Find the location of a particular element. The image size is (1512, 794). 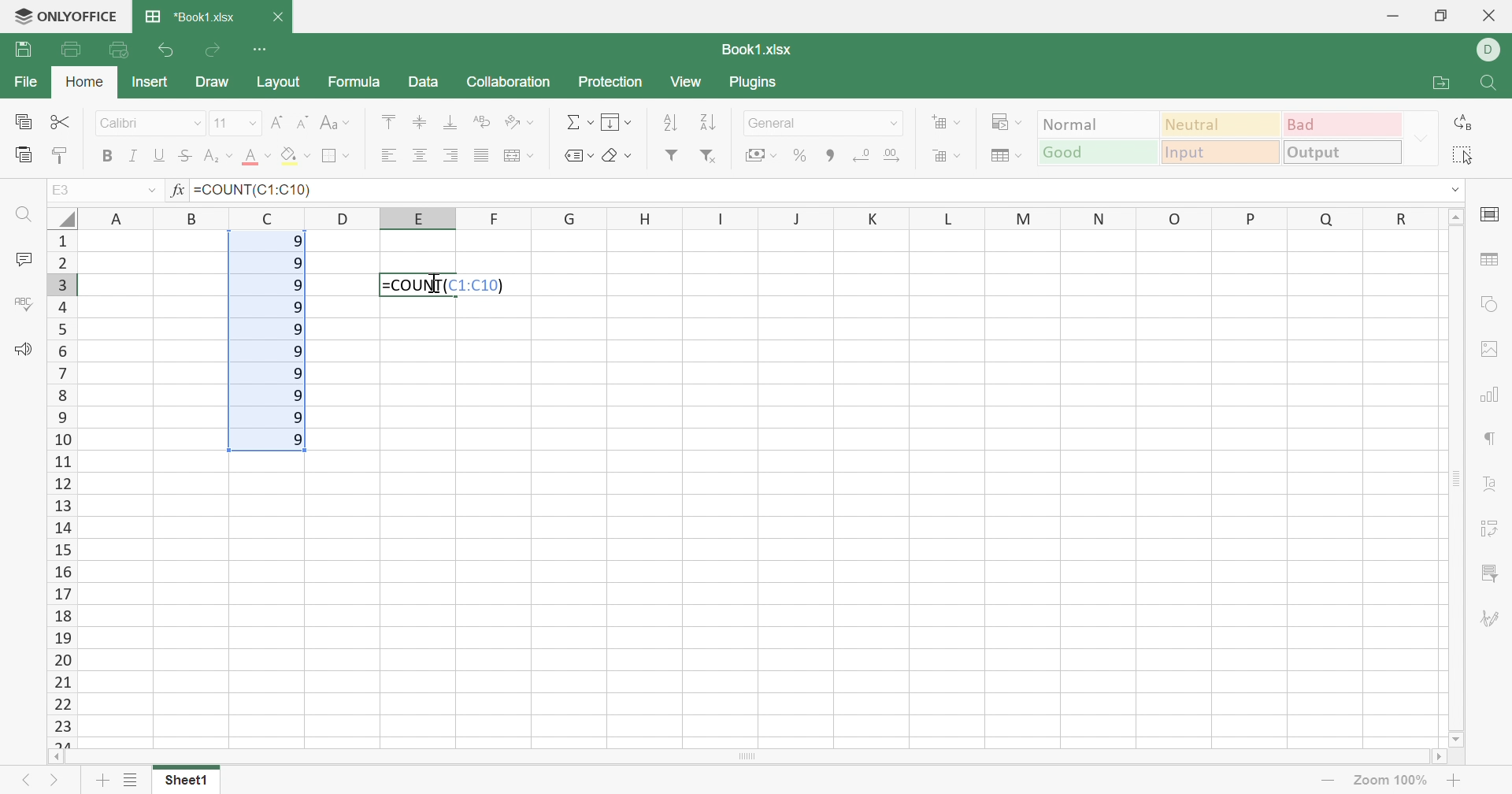

A1 is located at coordinates (61, 191).